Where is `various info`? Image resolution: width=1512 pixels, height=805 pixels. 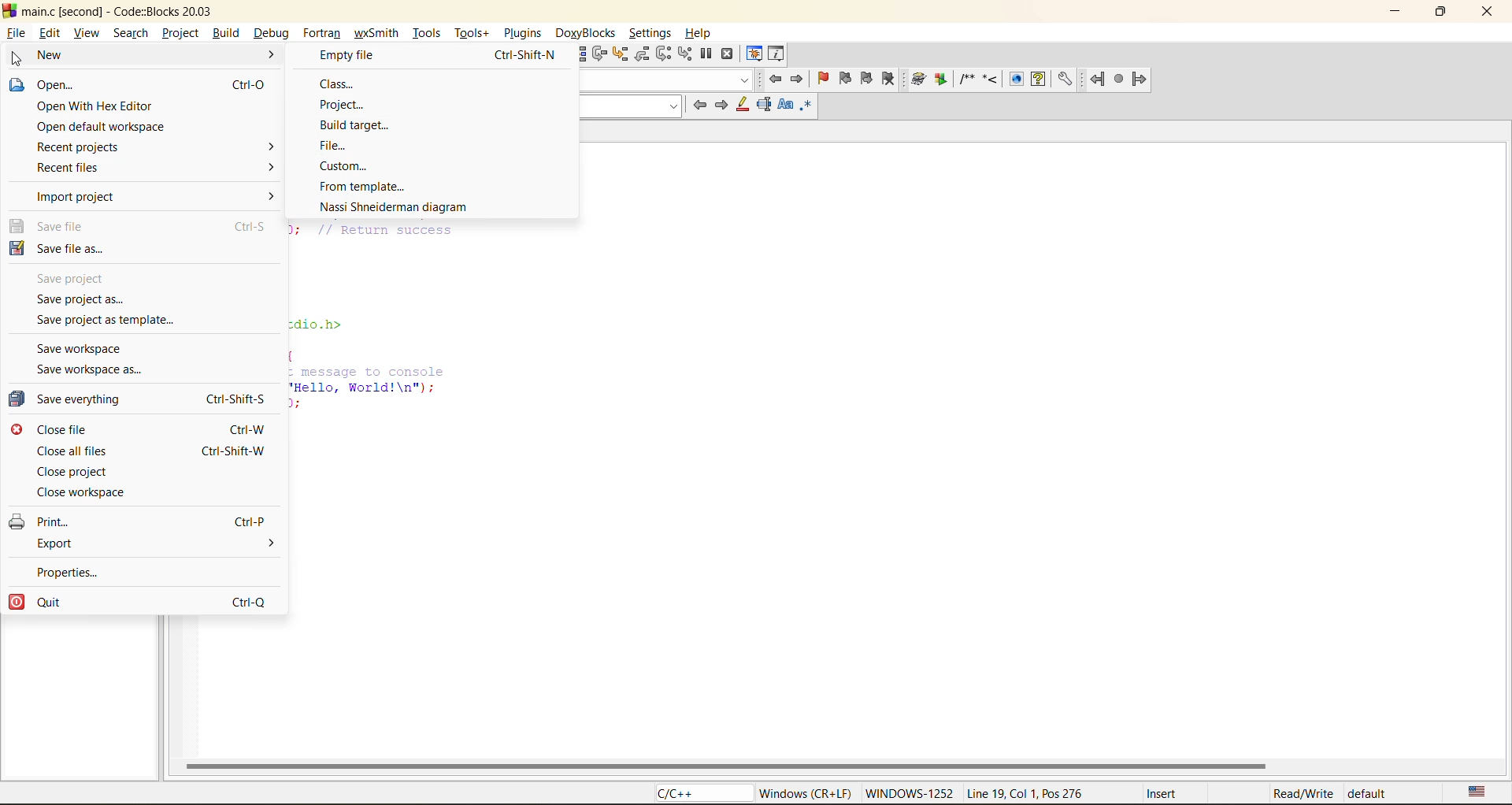
various info is located at coordinates (774, 54).